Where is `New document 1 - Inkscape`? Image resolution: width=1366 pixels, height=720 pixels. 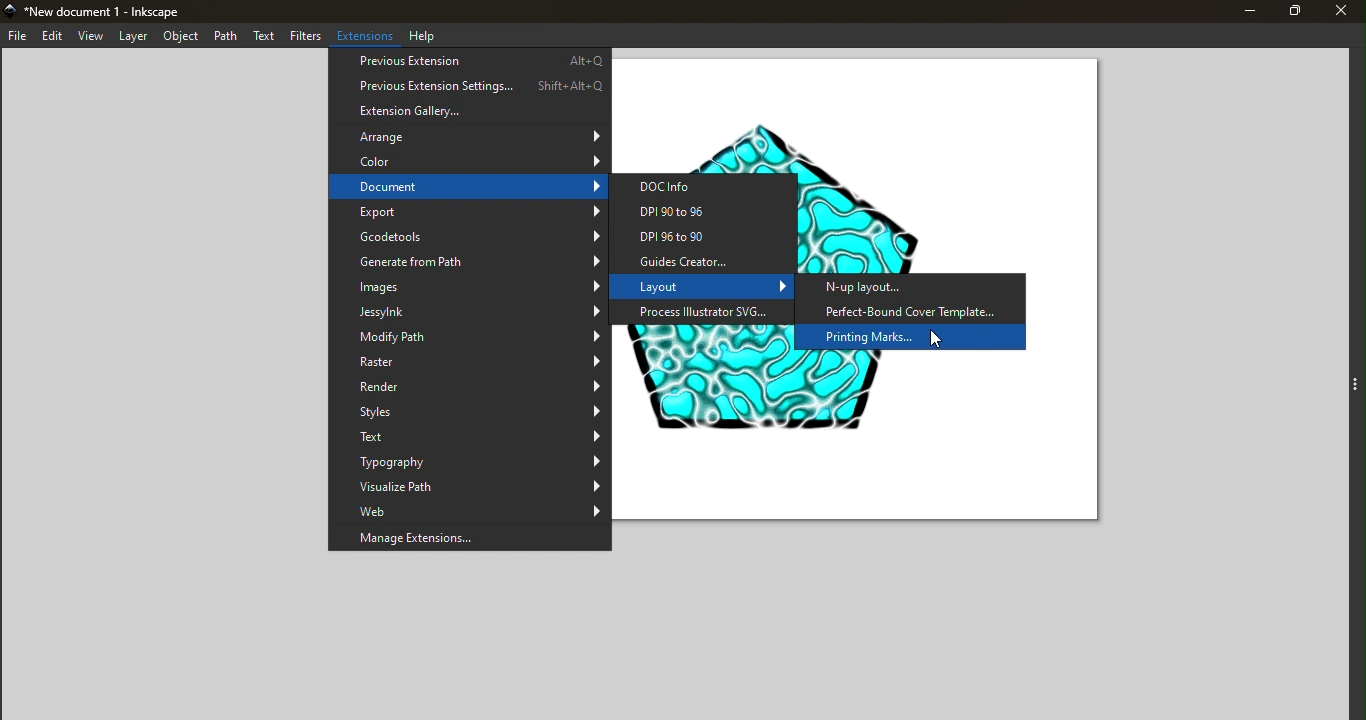 New document 1 - Inkscape is located at coordinates (109, 10).